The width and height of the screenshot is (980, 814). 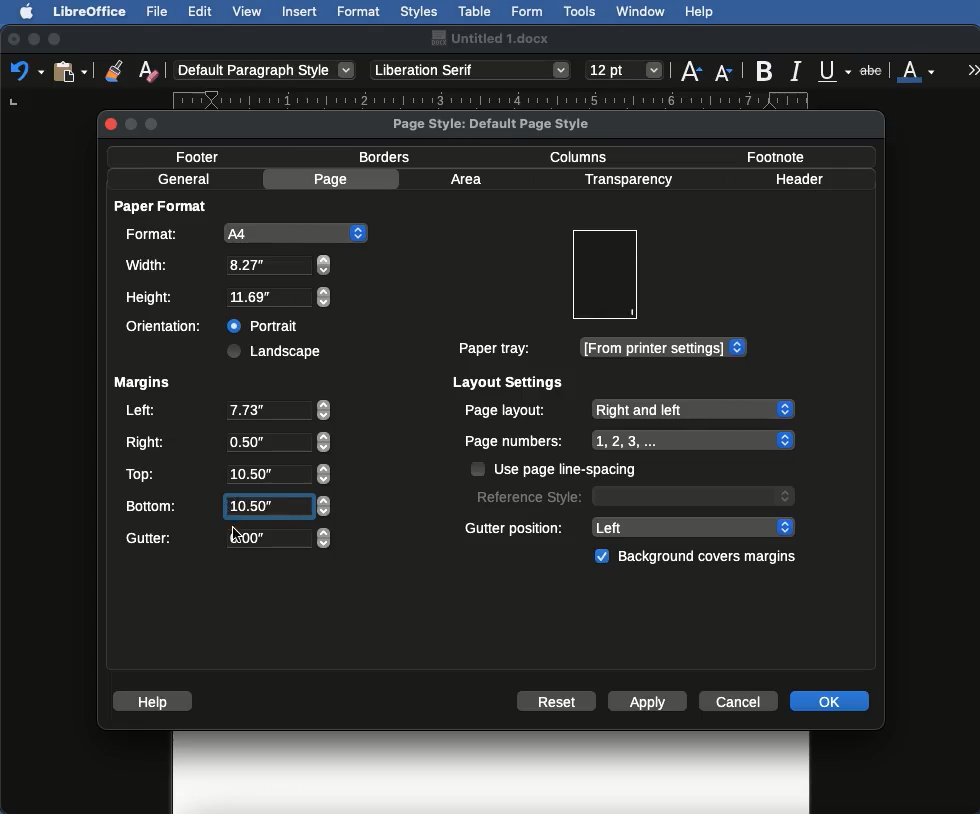 I want to click on Page, so click(x=334, y=179).